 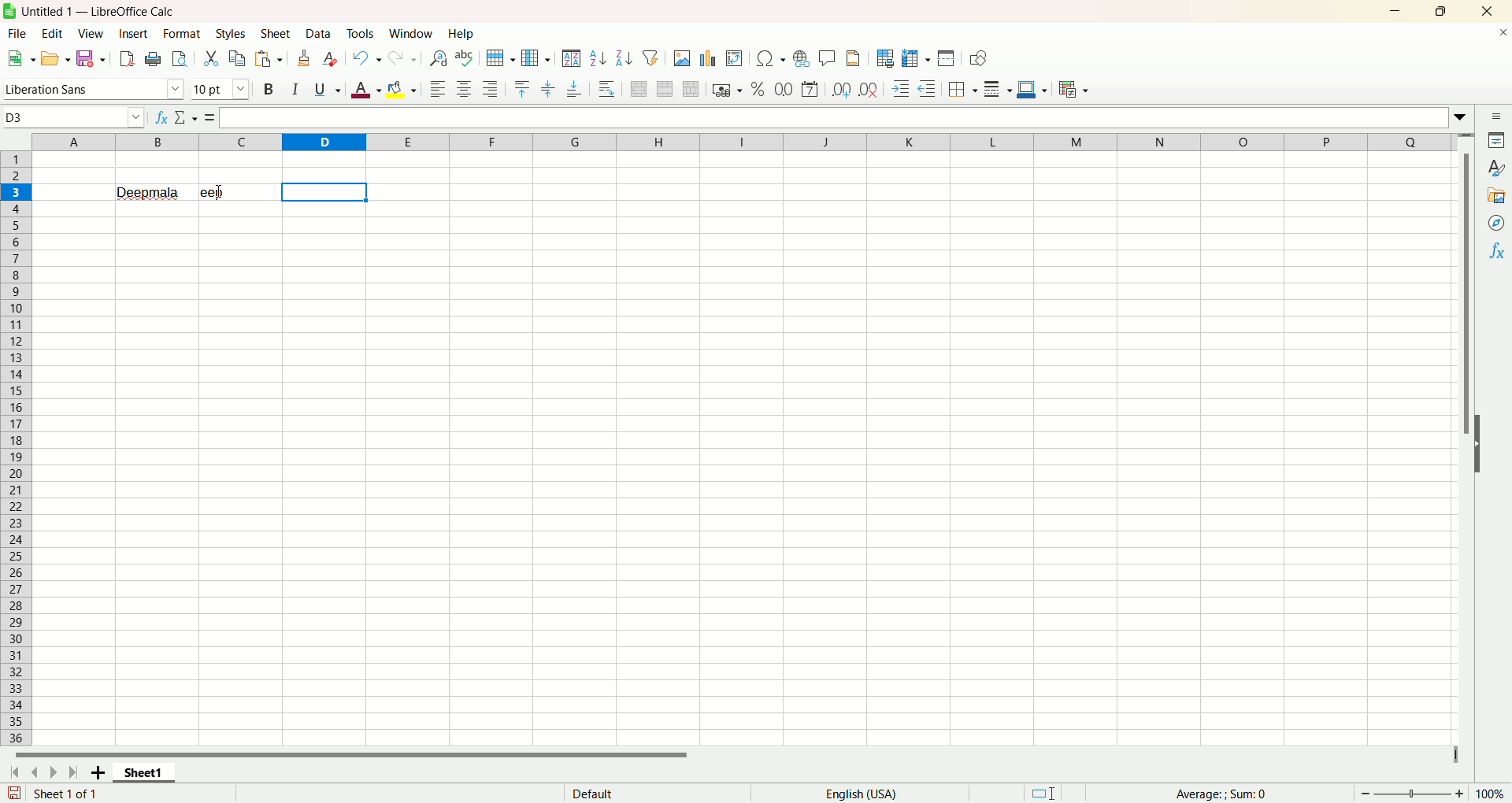 What do you see at coordinates (239, 192) in the screenshot?
I see `ee` at bounding box center [239, 192].